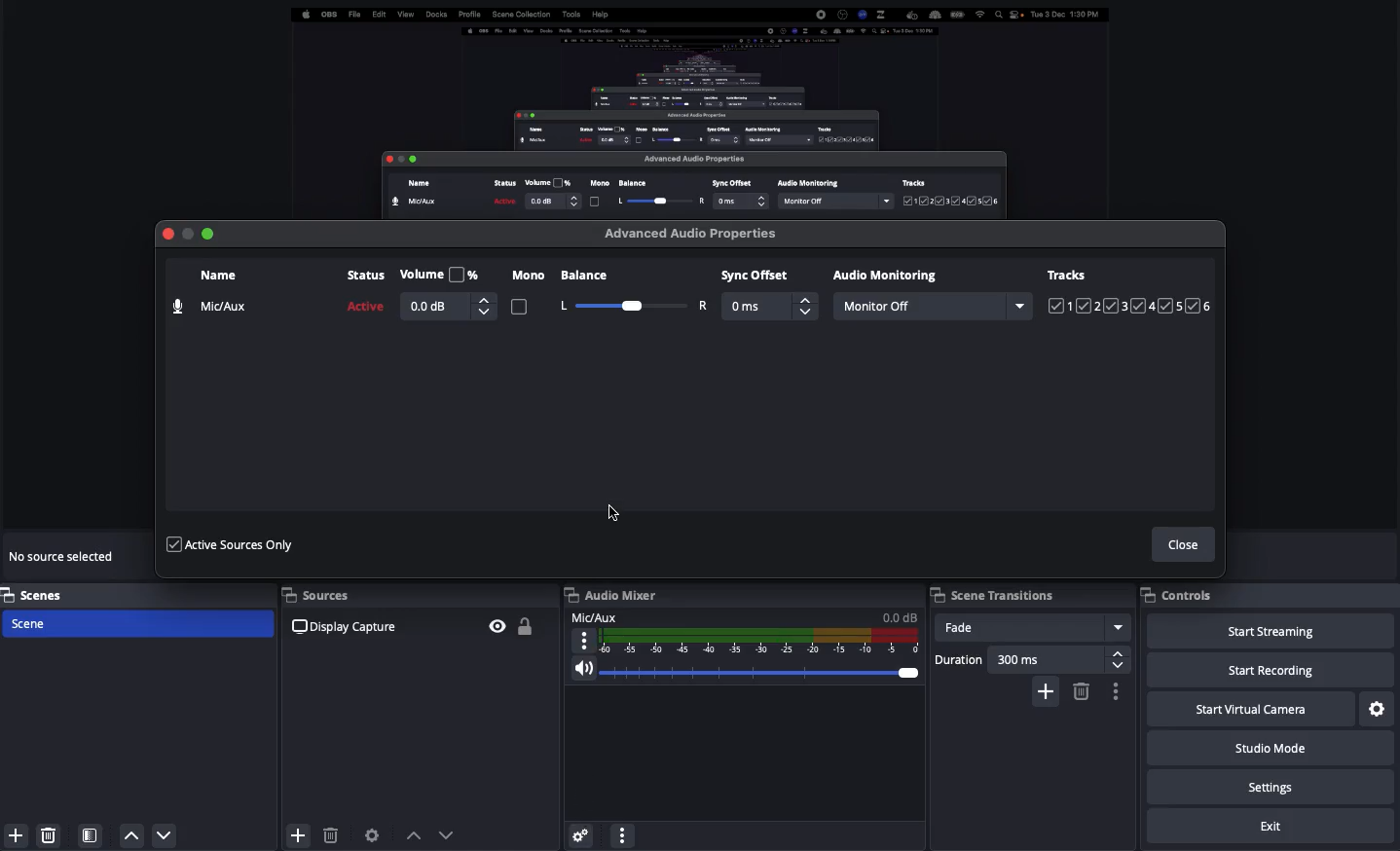 This screenshot has width=1400, height=851. I want to click on Active sources only, so click(234, 545).